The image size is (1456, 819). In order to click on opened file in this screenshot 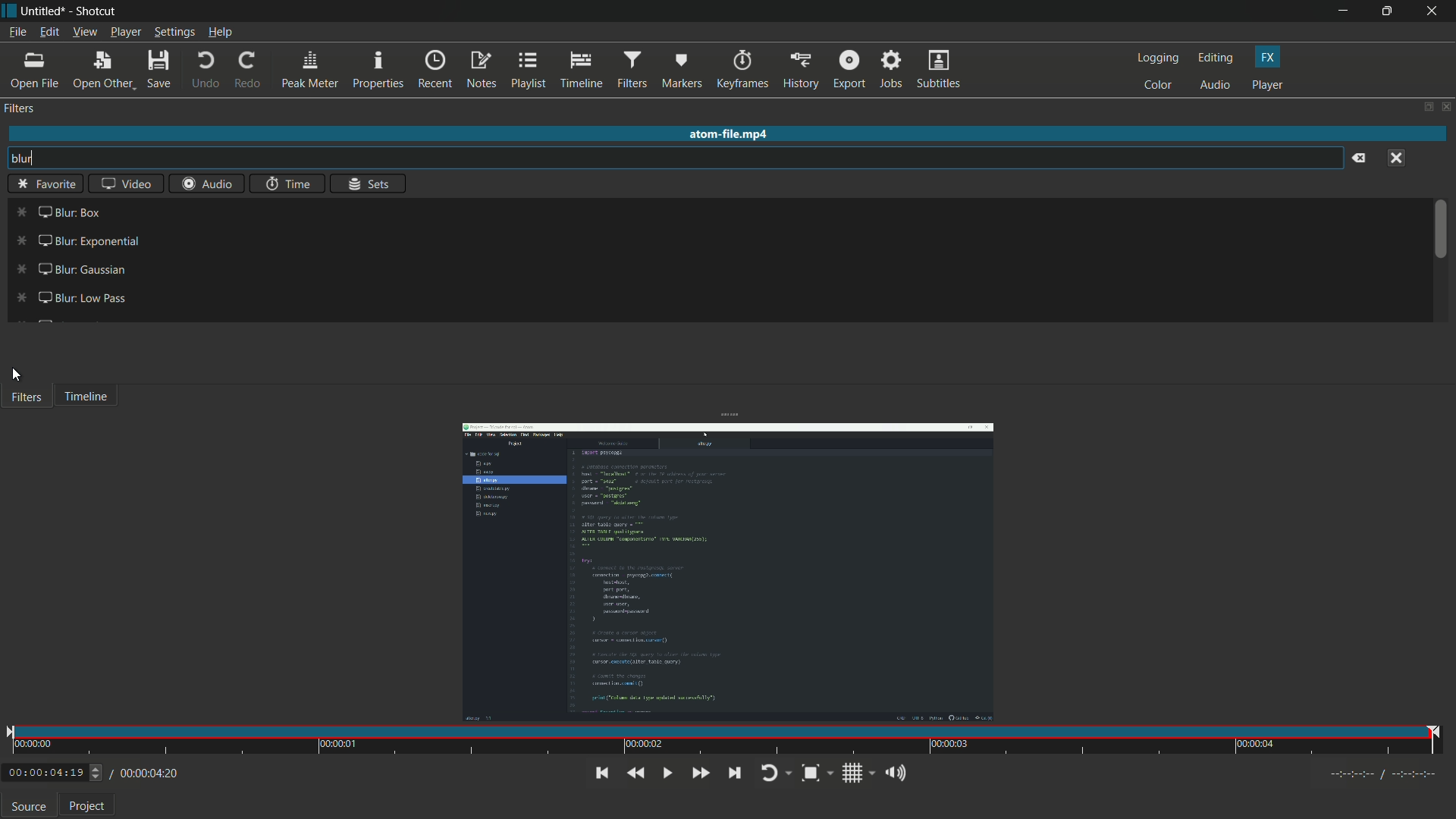, I will do `click(726, 572)`.